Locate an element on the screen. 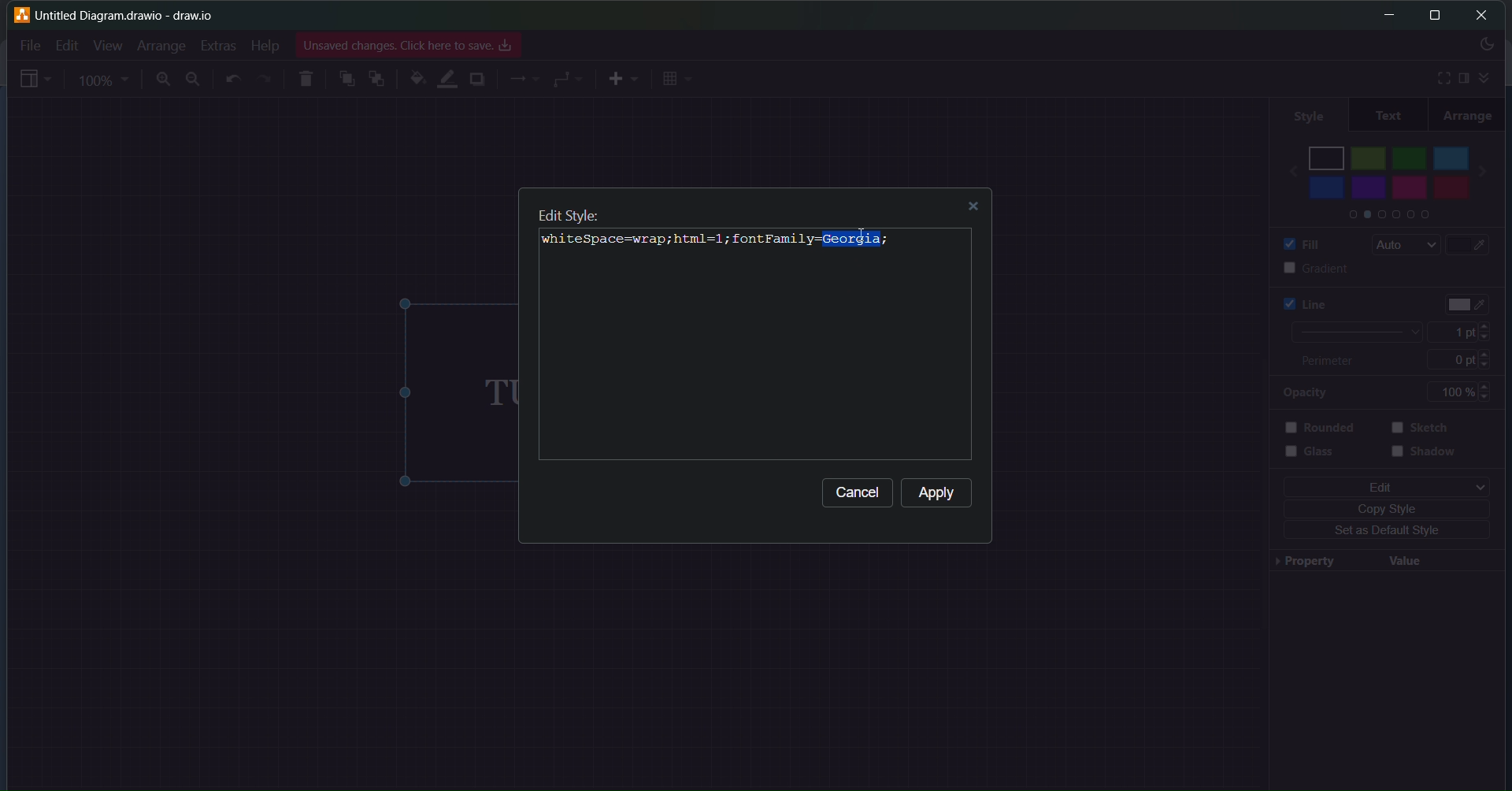 This screenshot has height=791, width=1512. undo is located at coordinates (235, 80).